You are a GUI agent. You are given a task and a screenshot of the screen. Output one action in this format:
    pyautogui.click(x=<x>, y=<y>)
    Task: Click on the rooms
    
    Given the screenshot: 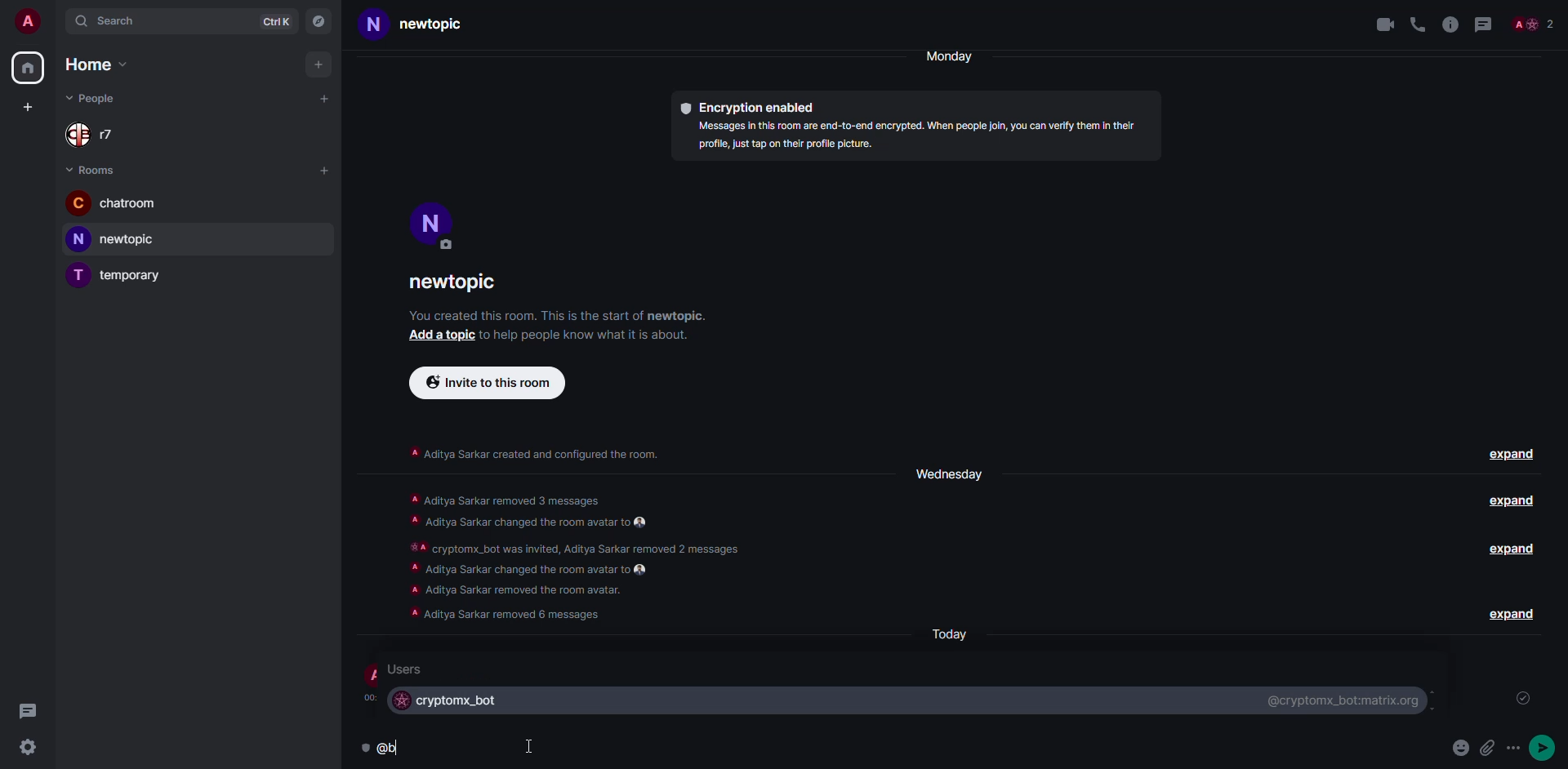 What is the action you would take?
    pyautogui.click(x=96, y=169)
    